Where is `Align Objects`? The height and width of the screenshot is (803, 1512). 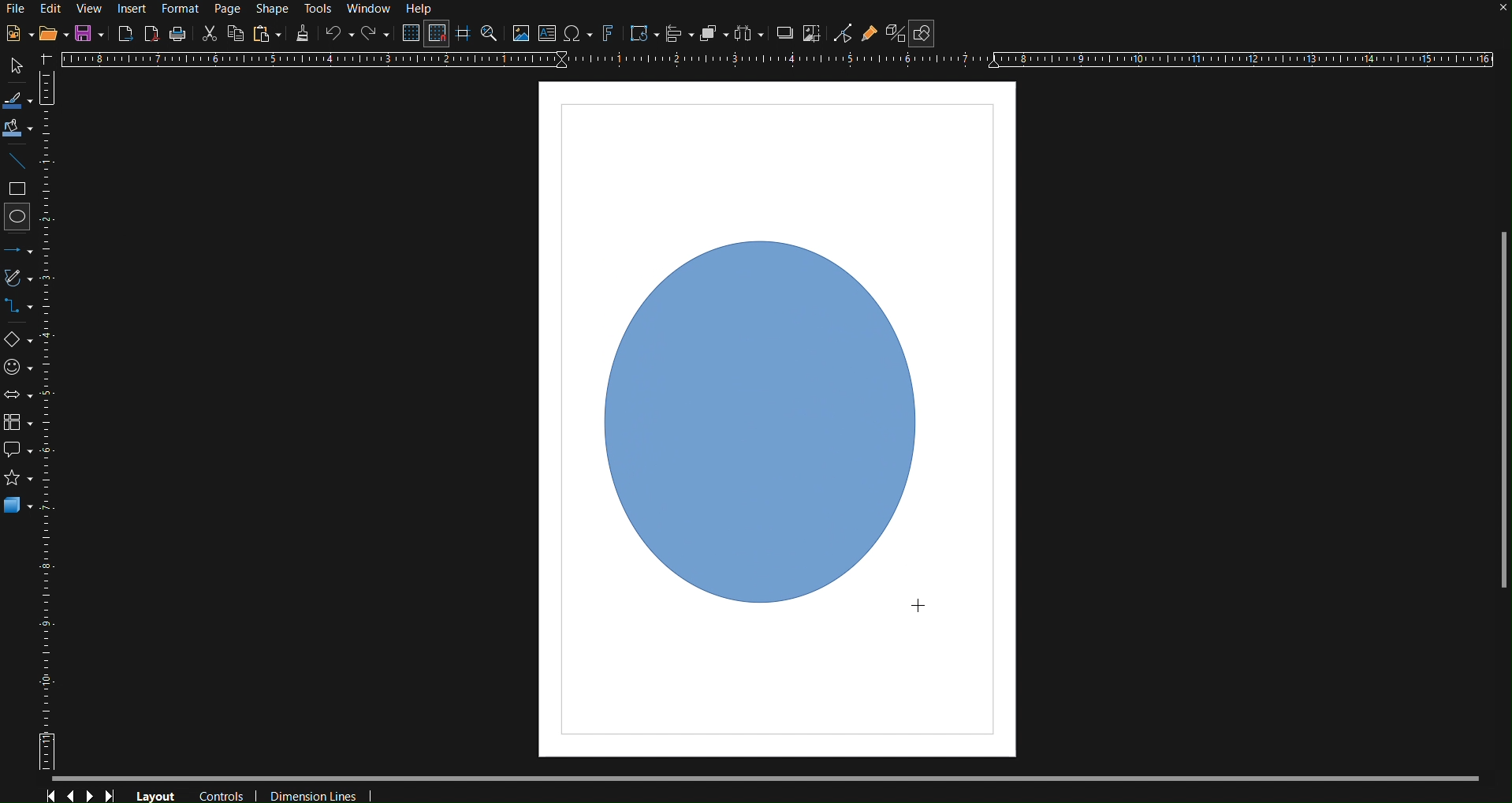
Align Objects is located at coordinates (679, 35).